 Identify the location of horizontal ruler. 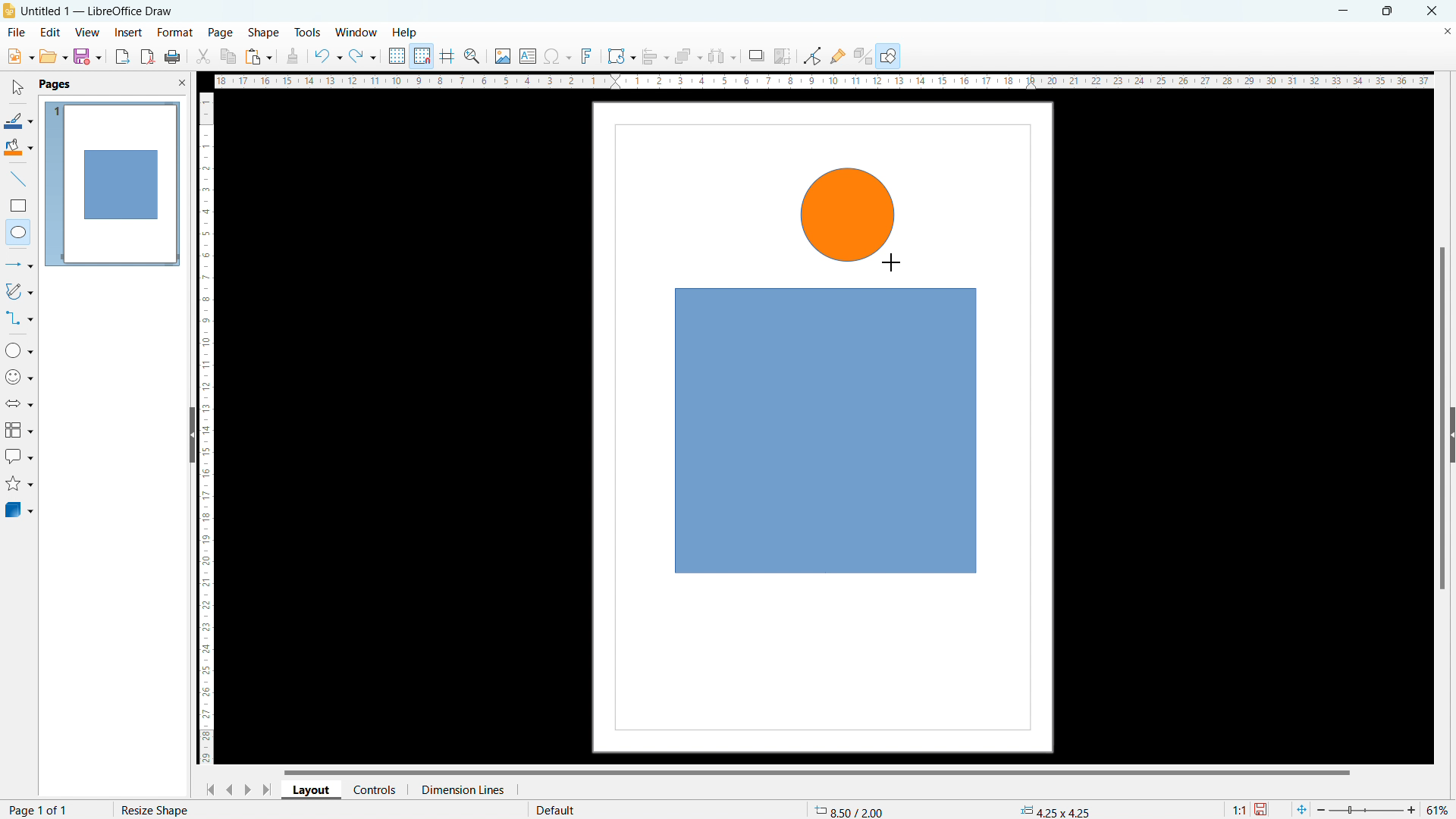
(824, 80).